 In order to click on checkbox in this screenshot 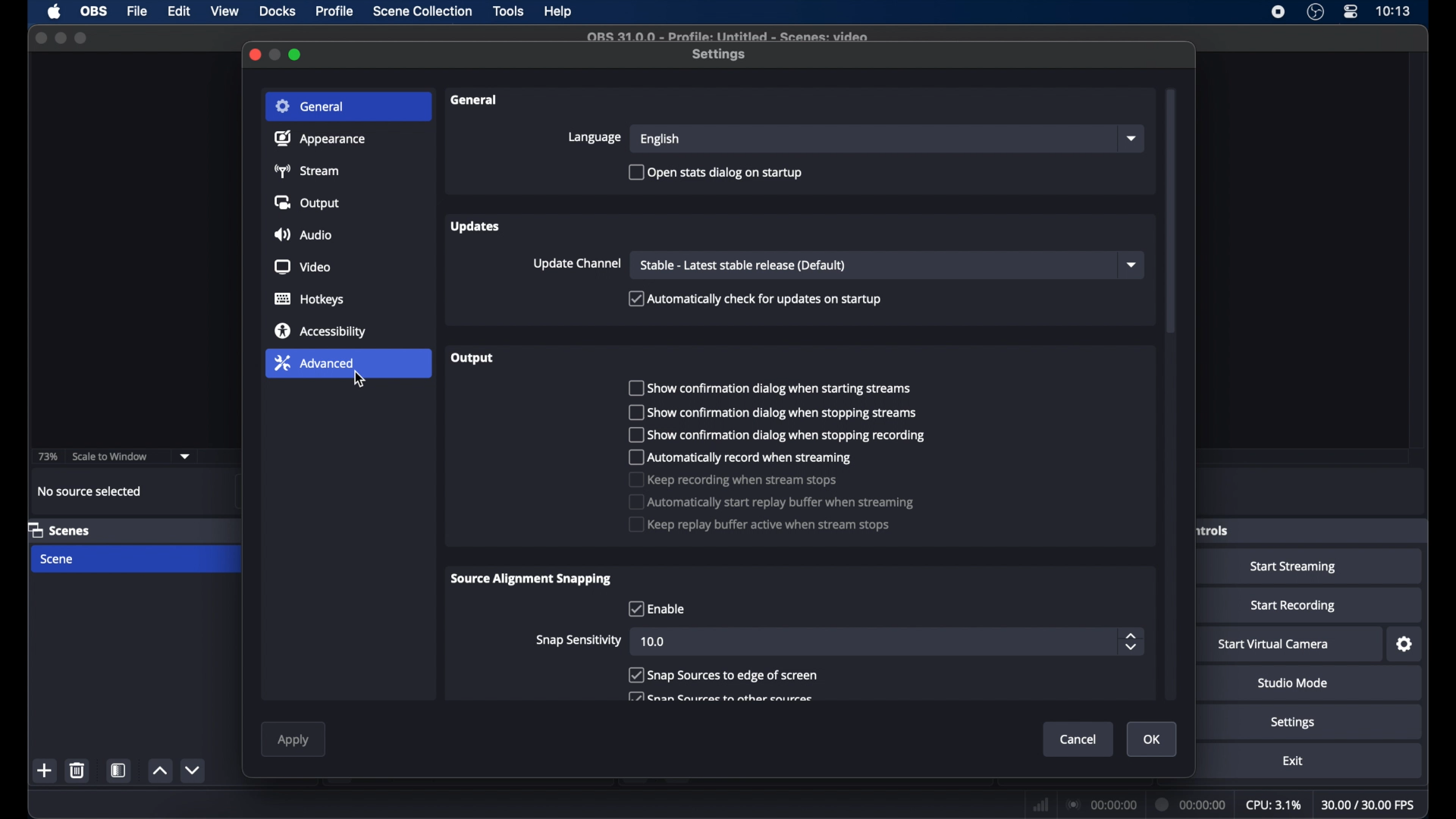, I will do `click(720, 696)`.